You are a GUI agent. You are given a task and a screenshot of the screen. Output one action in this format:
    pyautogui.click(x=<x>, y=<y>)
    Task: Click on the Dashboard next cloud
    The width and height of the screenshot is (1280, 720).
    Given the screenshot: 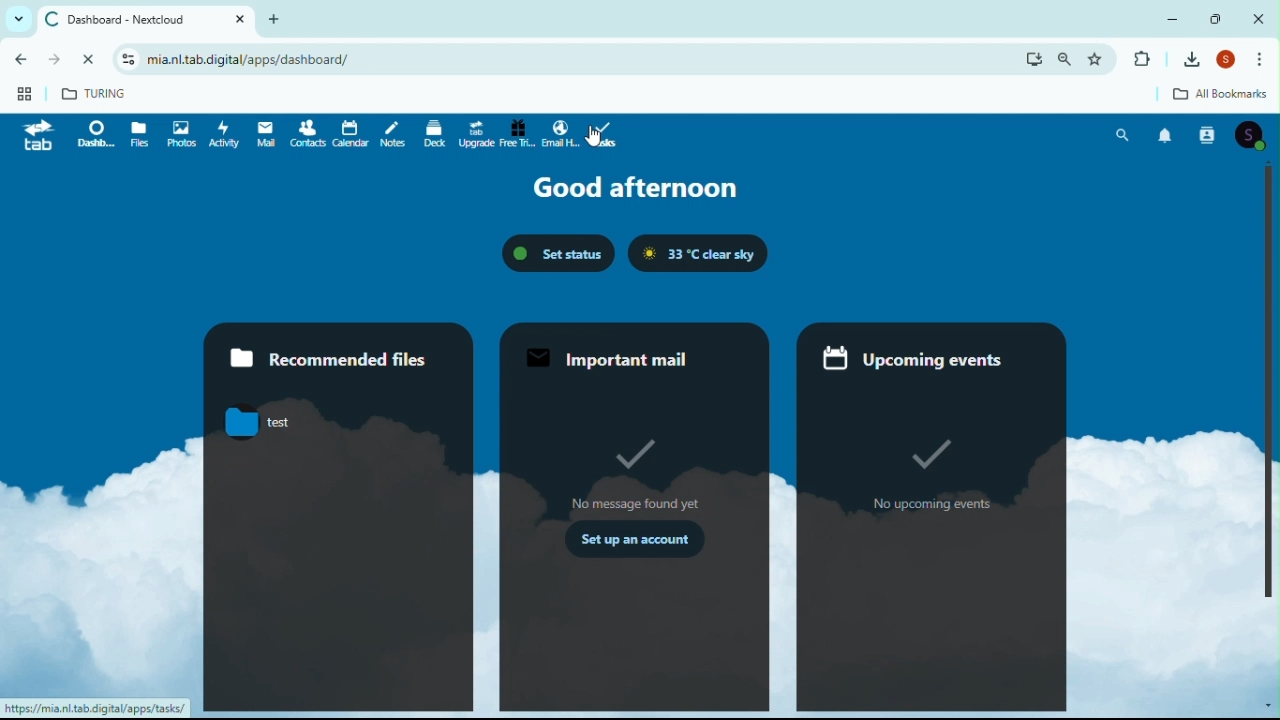 What is the action you would take?
    pyautogui.click(x=147, y=19)
    